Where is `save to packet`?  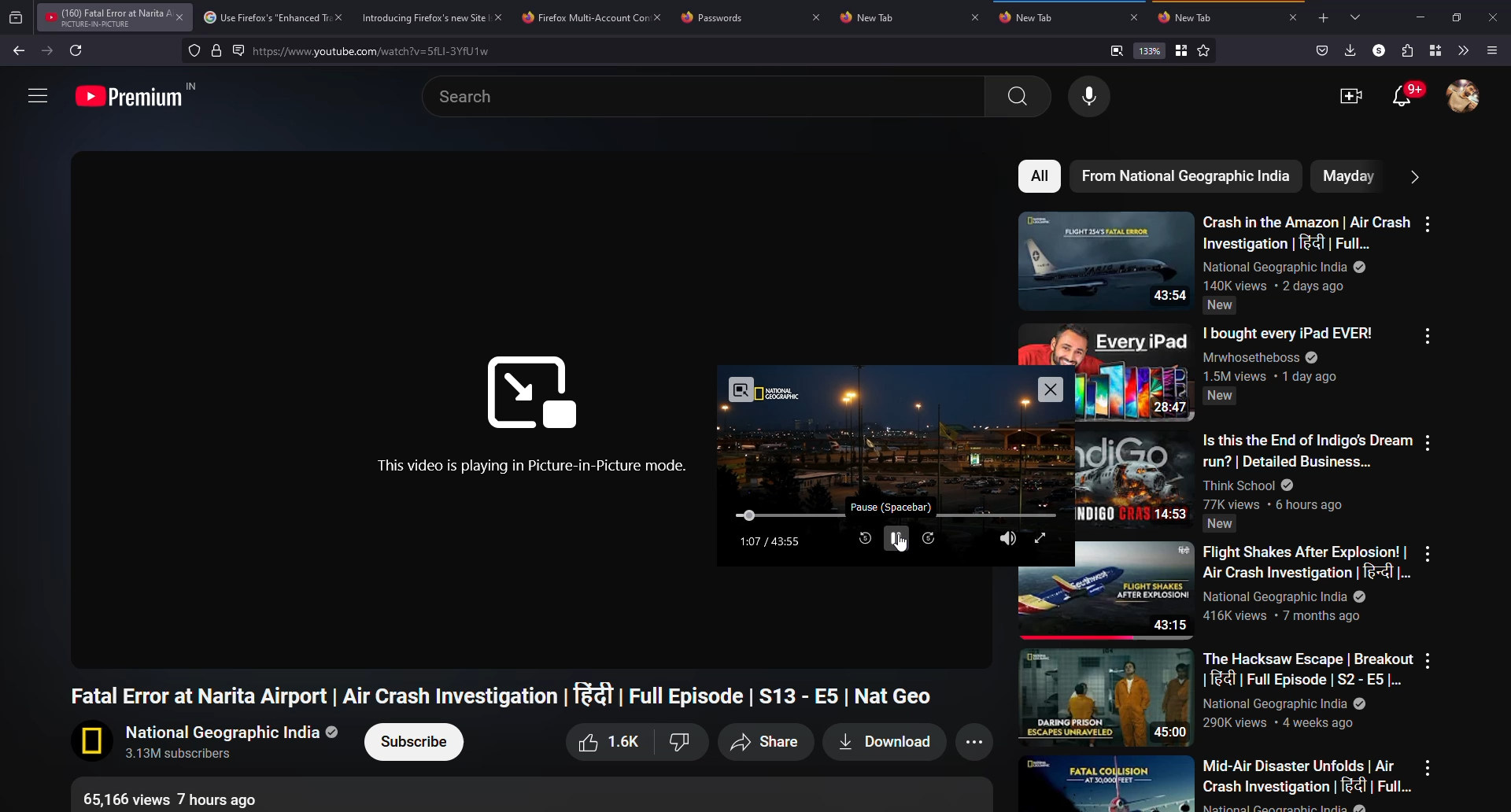 save to packet is located at coordinates (1320, 50).